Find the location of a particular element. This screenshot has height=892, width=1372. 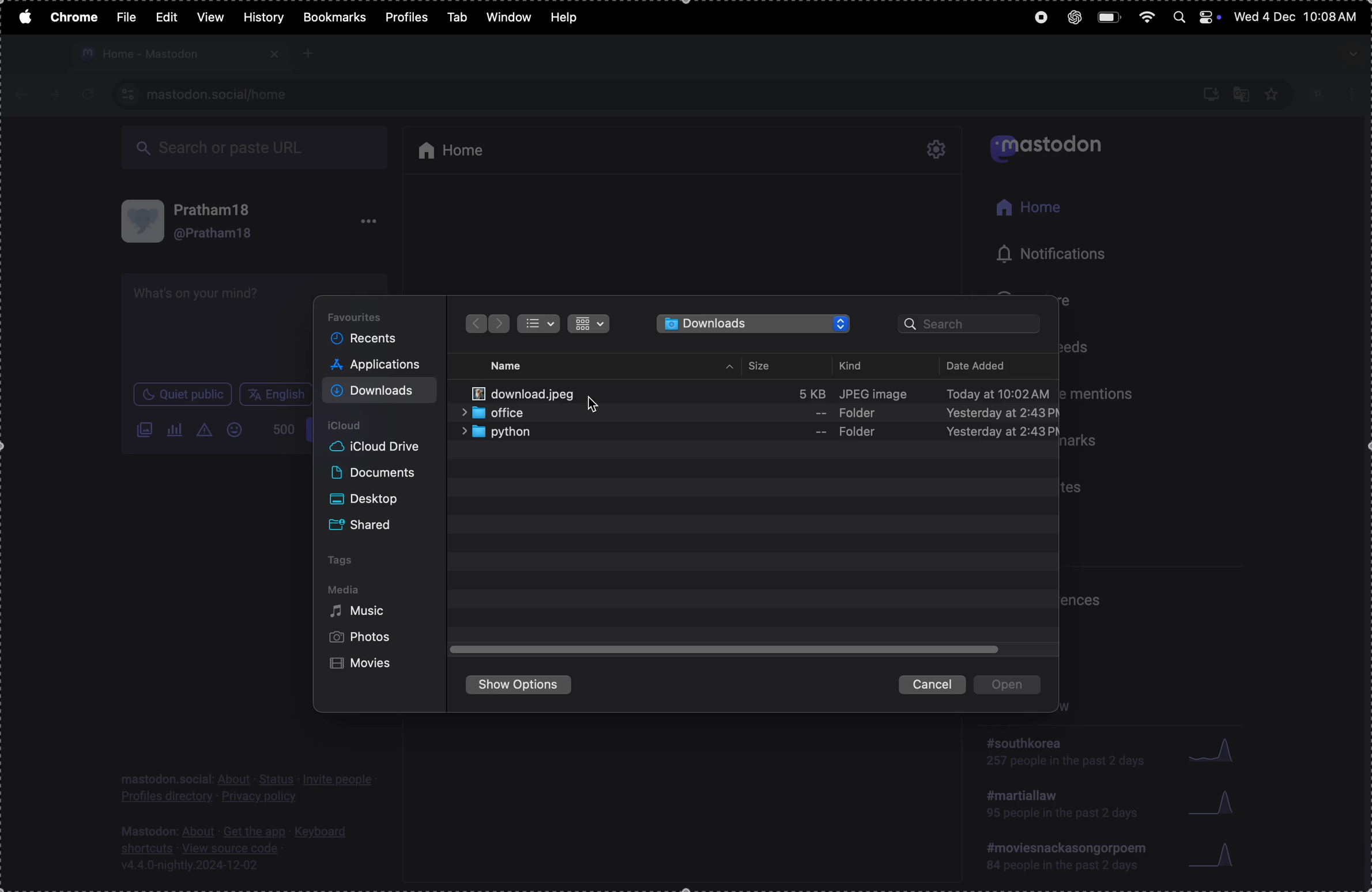

refresh is located at coordinates (84, 95).